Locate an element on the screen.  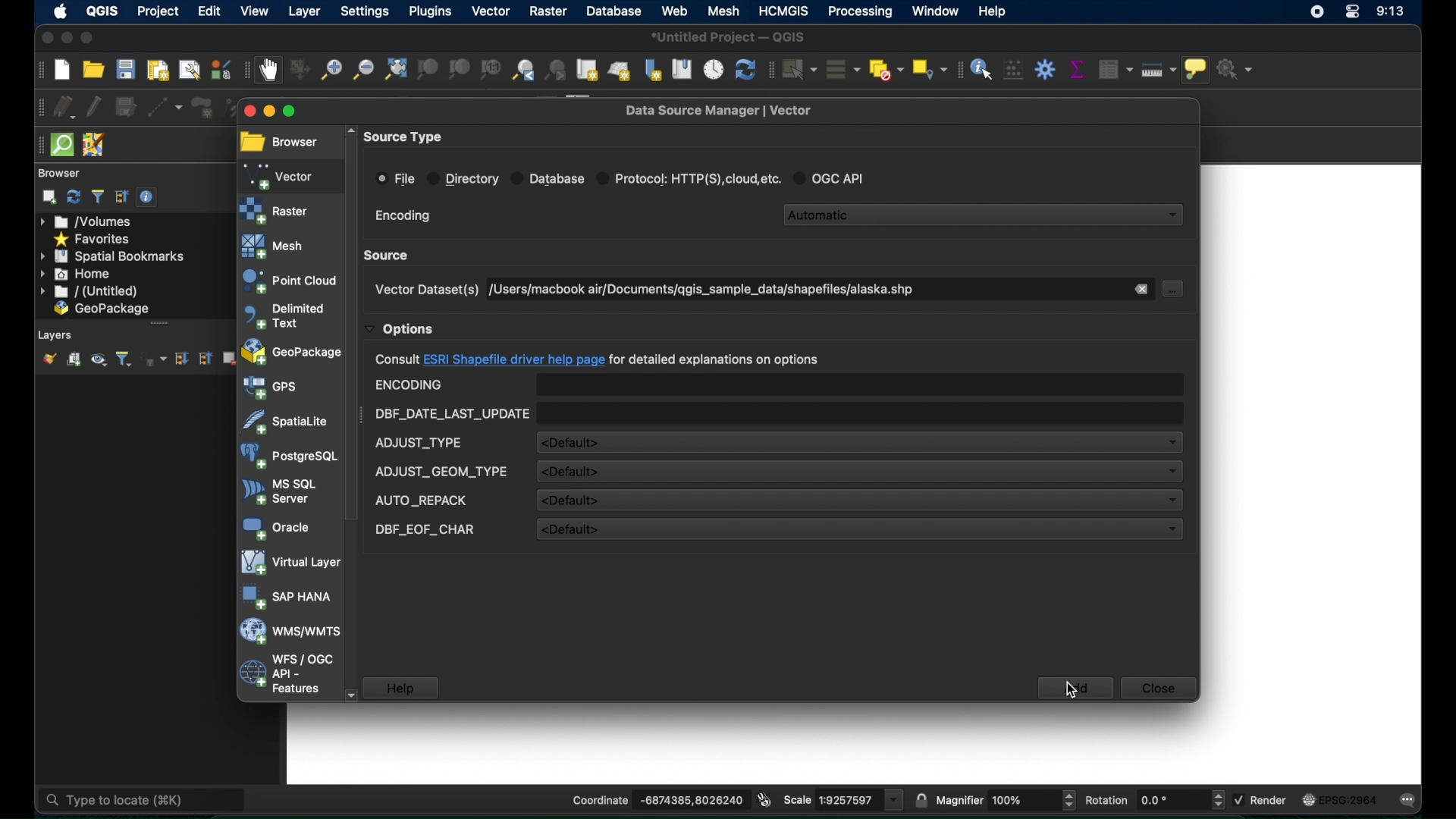
source is located at coordinates (389, 255).